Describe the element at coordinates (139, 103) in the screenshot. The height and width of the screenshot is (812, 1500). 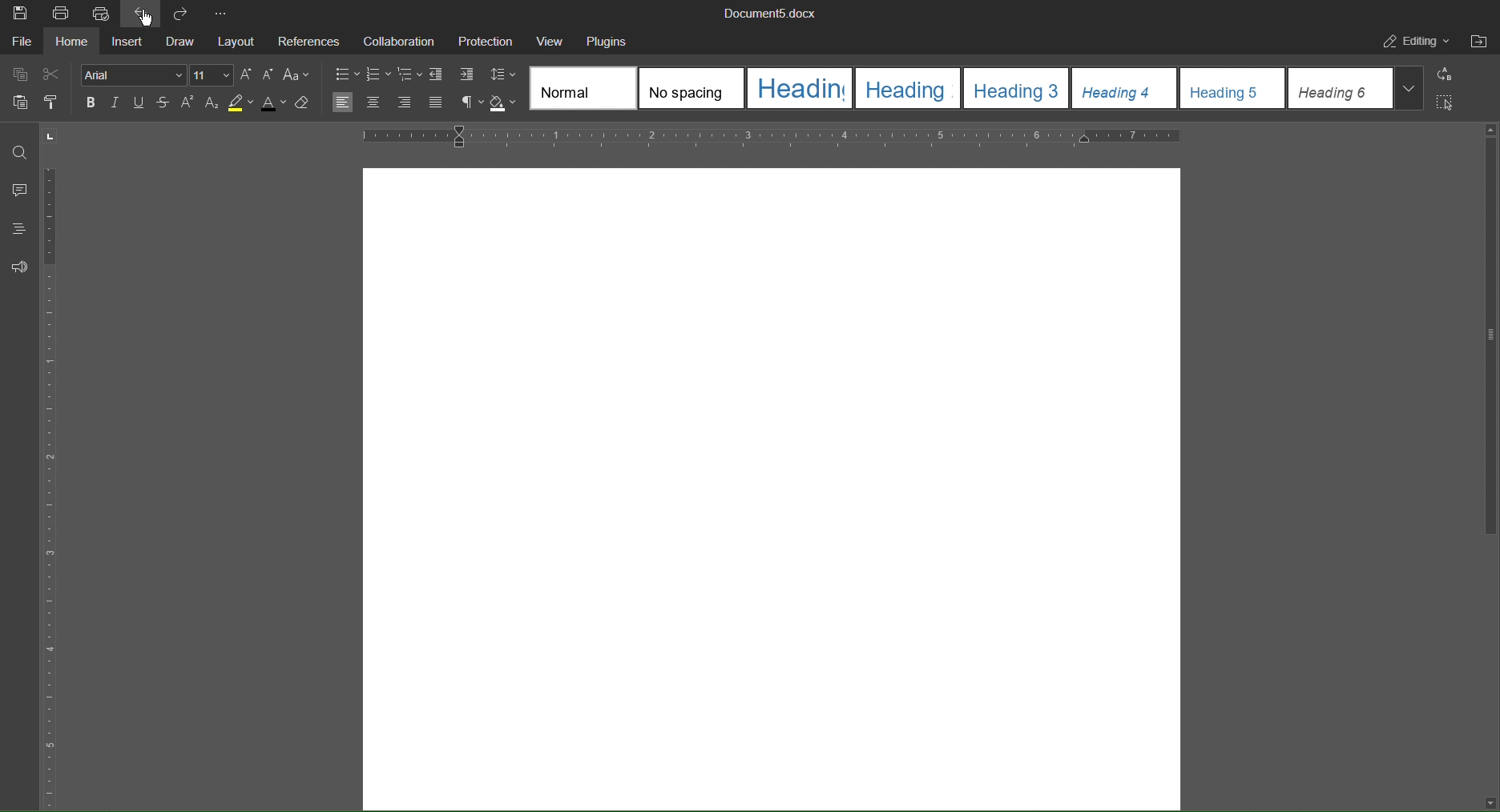
I see `Underline` at that location.